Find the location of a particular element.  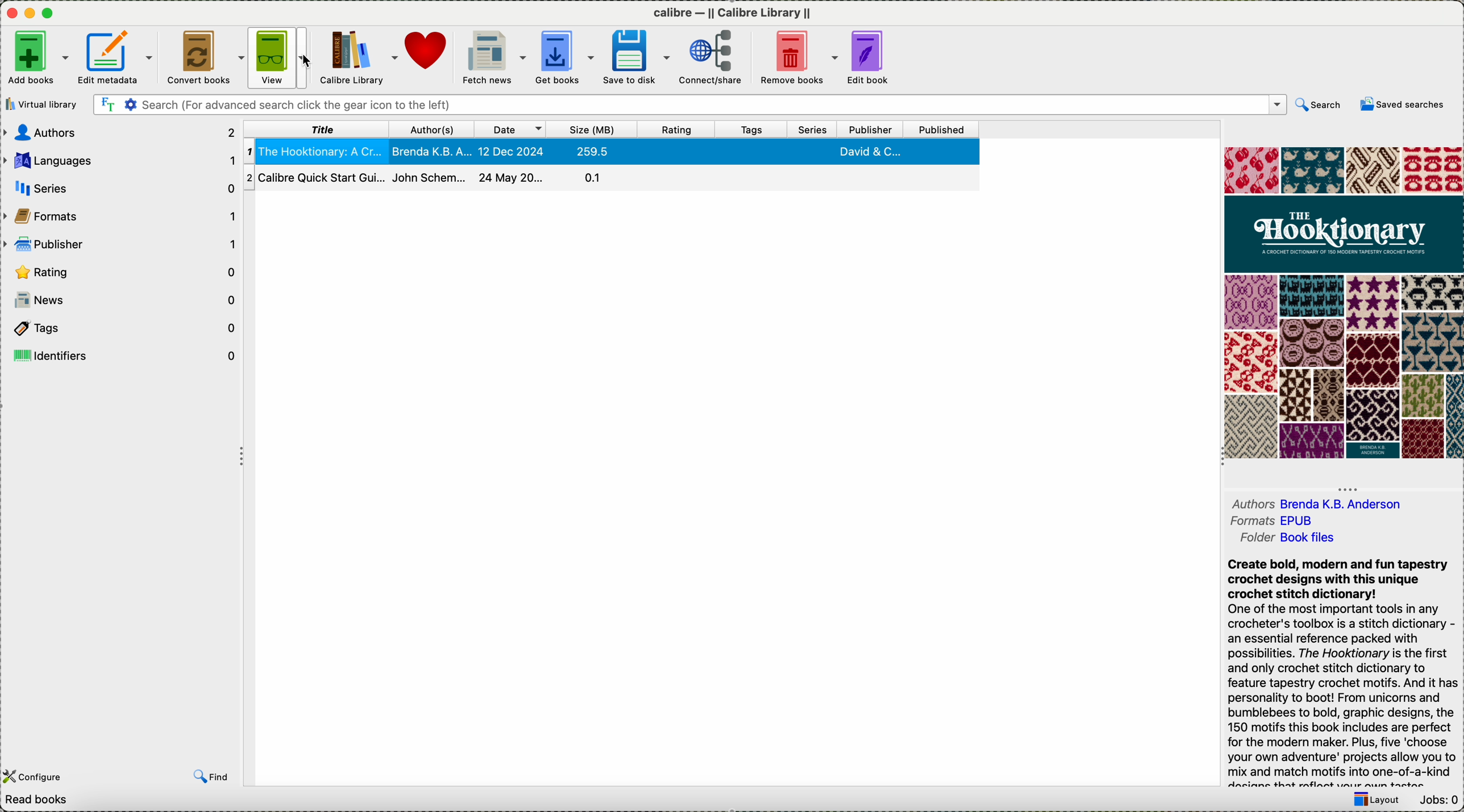

close program is located at coordinates (12, 14).